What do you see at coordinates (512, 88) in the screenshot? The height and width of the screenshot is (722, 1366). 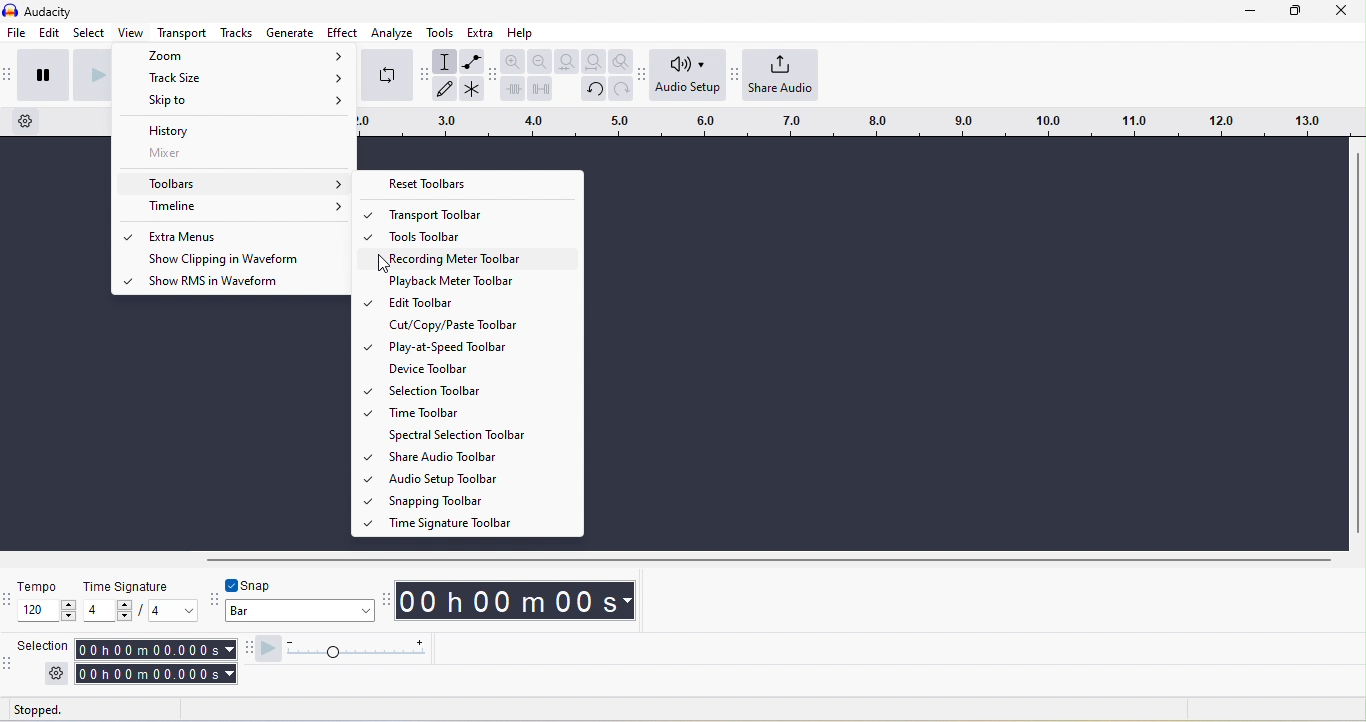 I see `trim audio outside selection` at bounding box center [512, 88].